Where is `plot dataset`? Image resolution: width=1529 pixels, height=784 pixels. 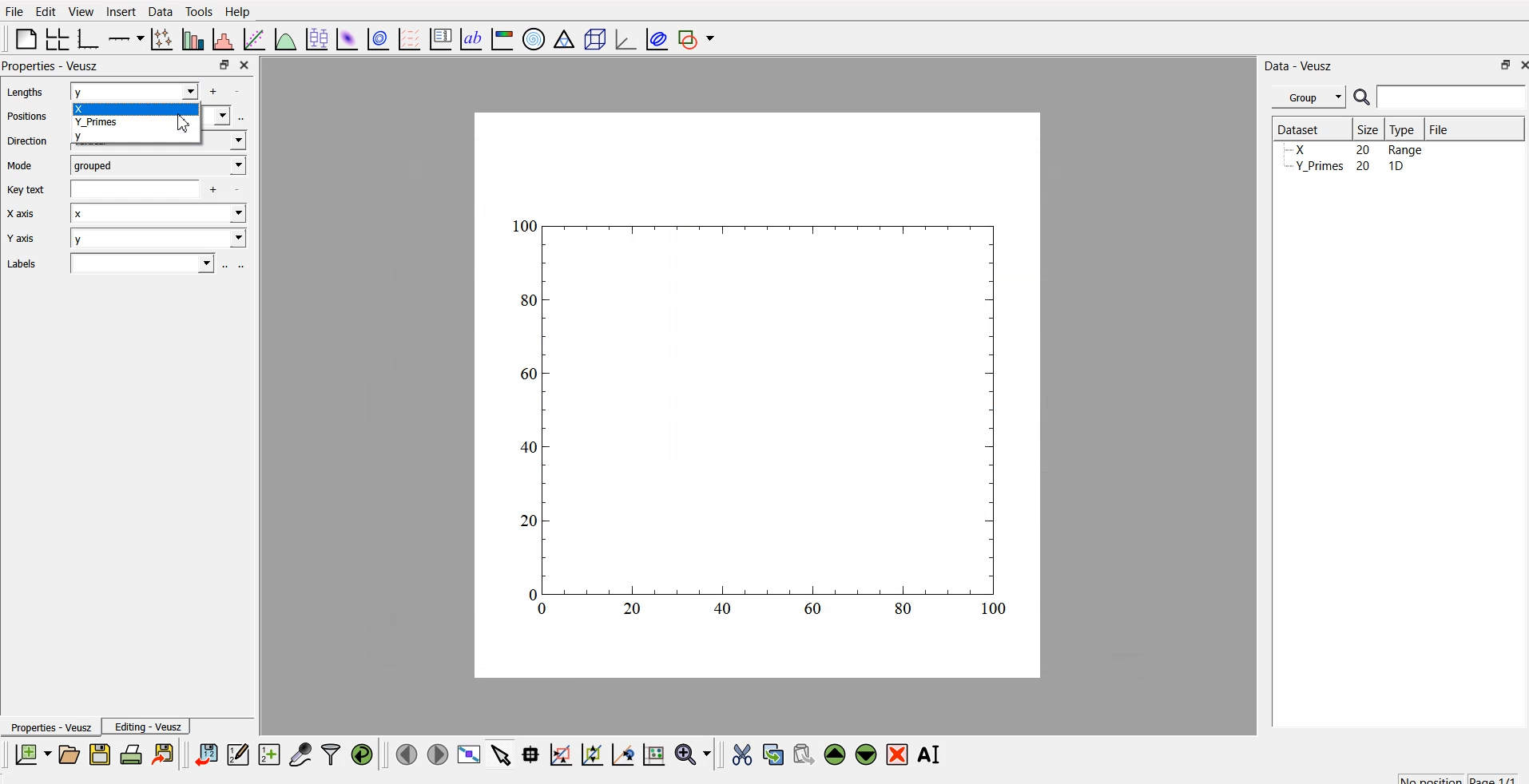 plot dataset is located at coordinates (347, 38).